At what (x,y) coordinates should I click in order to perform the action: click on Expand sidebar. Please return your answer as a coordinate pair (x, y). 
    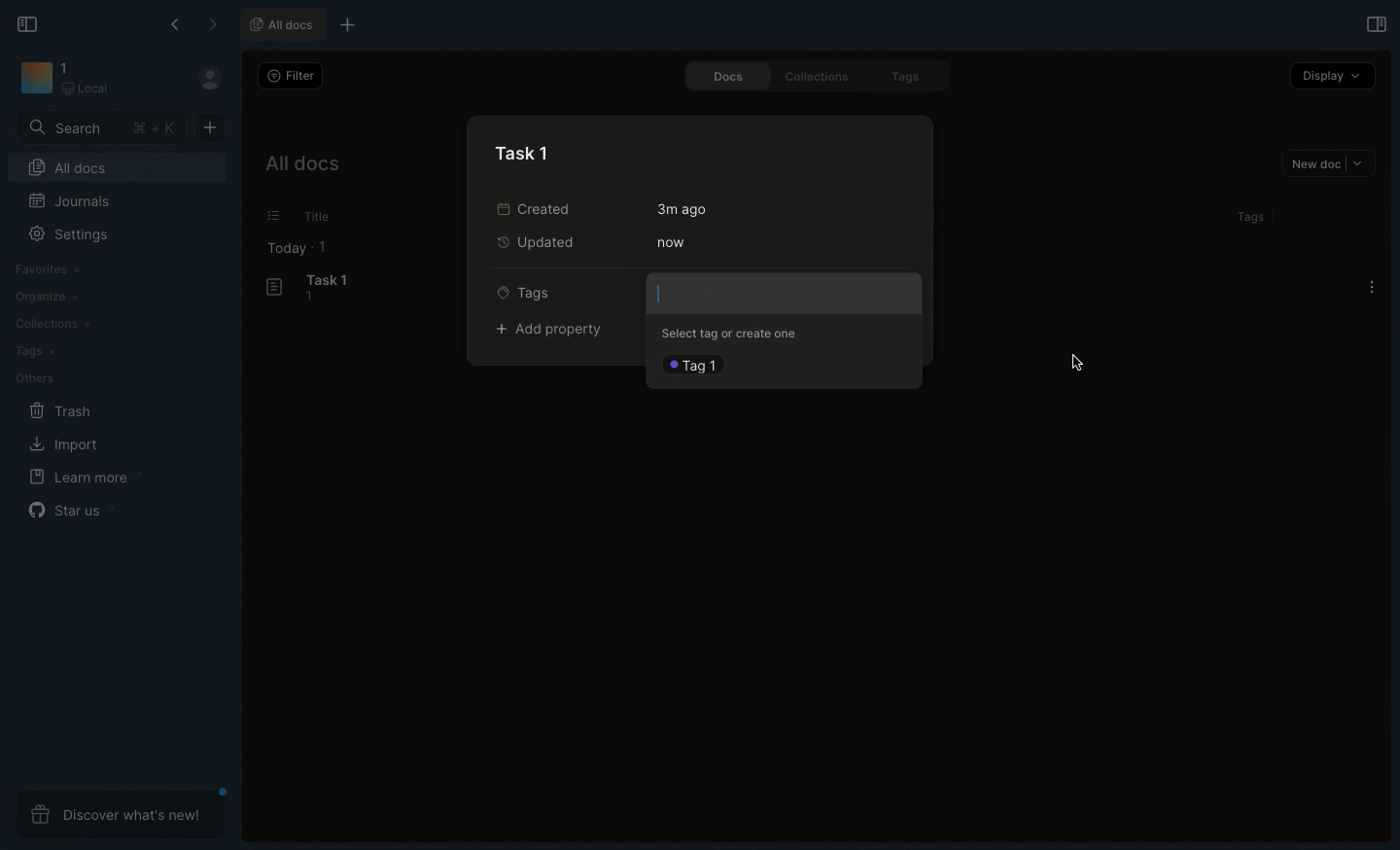
    Looking at the image, I should click on (1376, 23).